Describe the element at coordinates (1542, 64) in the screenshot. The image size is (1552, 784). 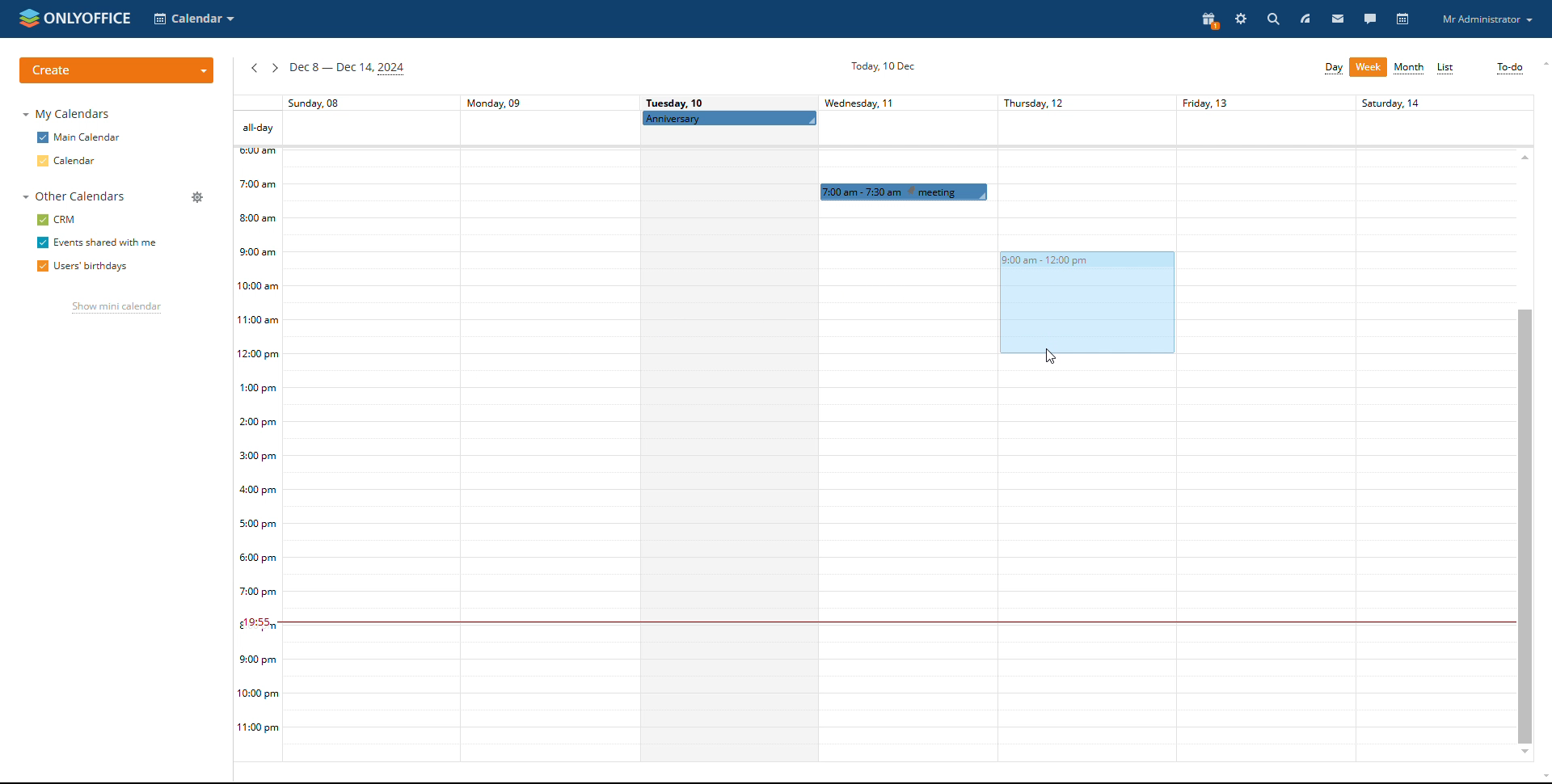
I see `scroll up` at that location.